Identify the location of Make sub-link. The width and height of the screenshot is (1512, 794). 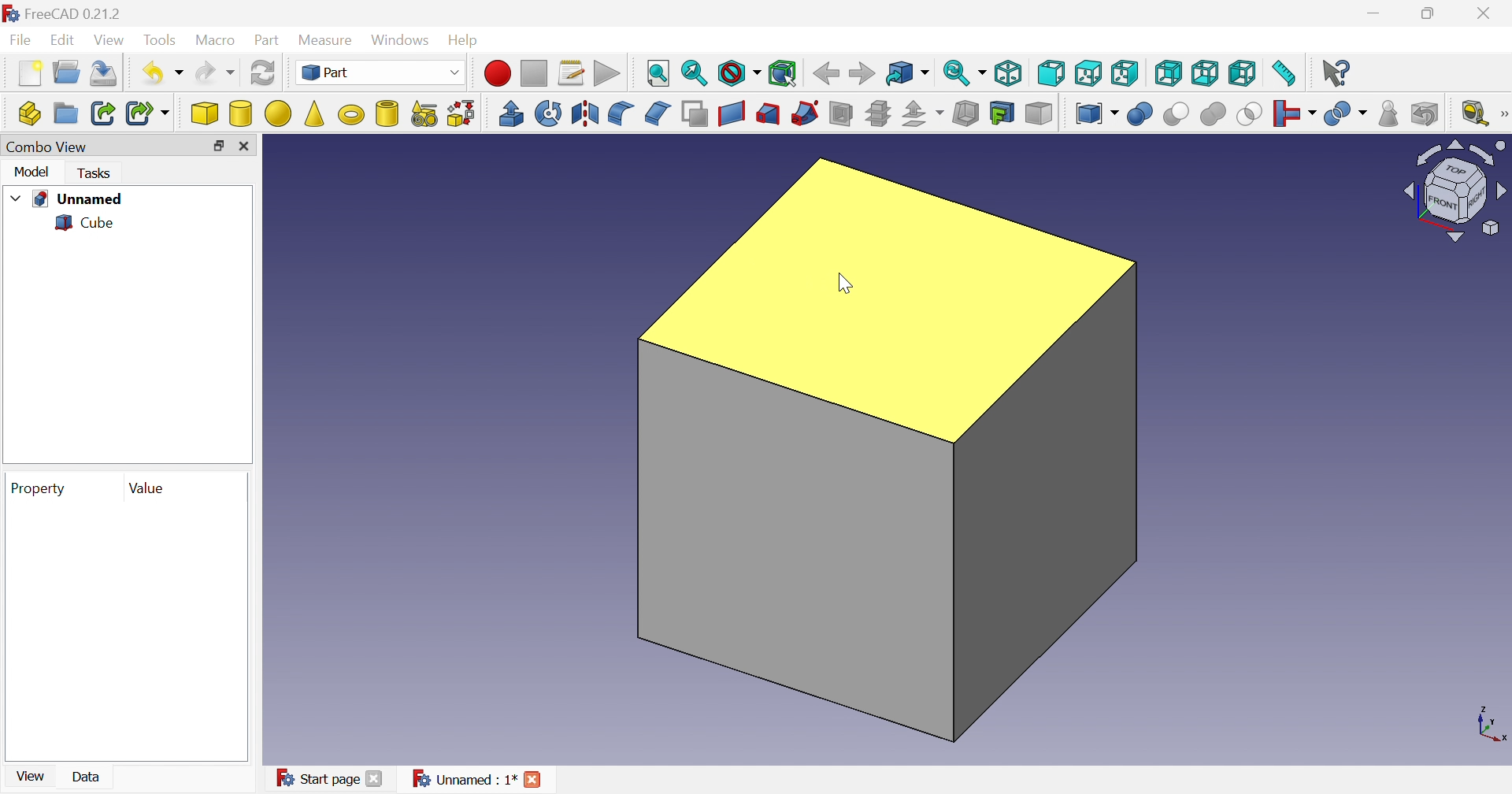
(150, 113).